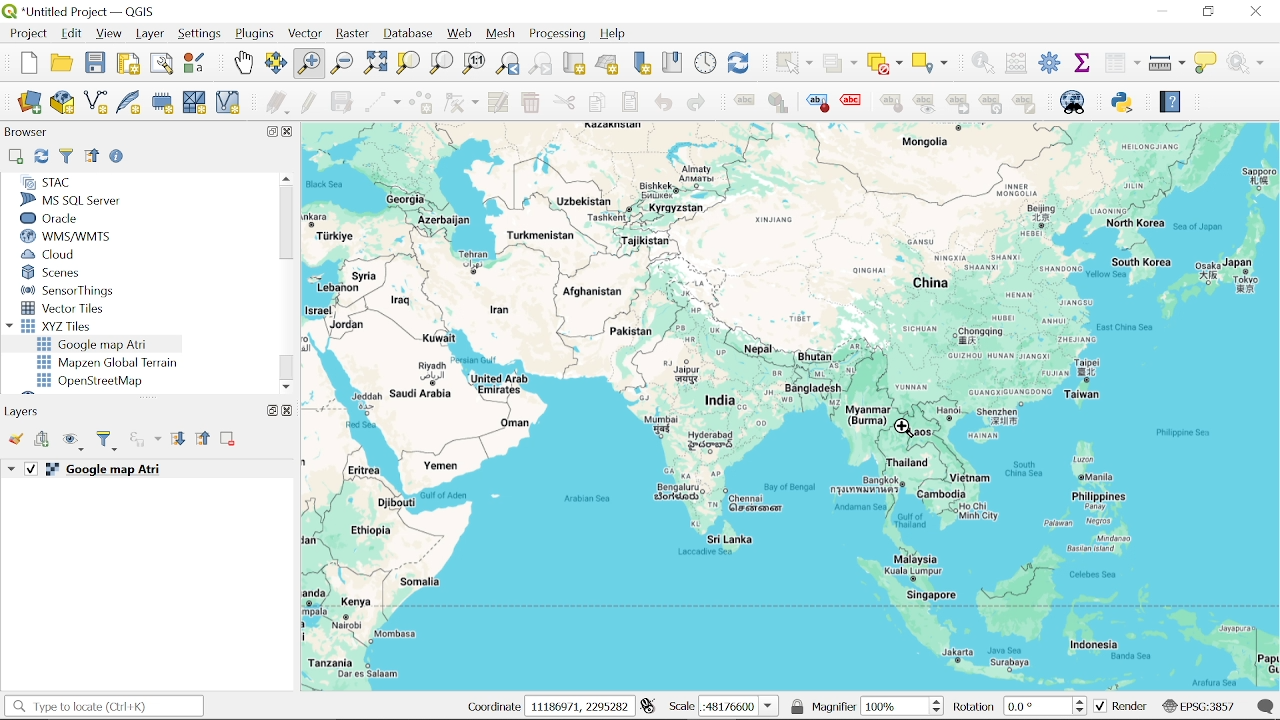 The width and height of the screenshot is (1280, 720). Describe the element at coordinates (894, 106) in the screenshot. I see `Pin/unpin label and diagrams` at that location.